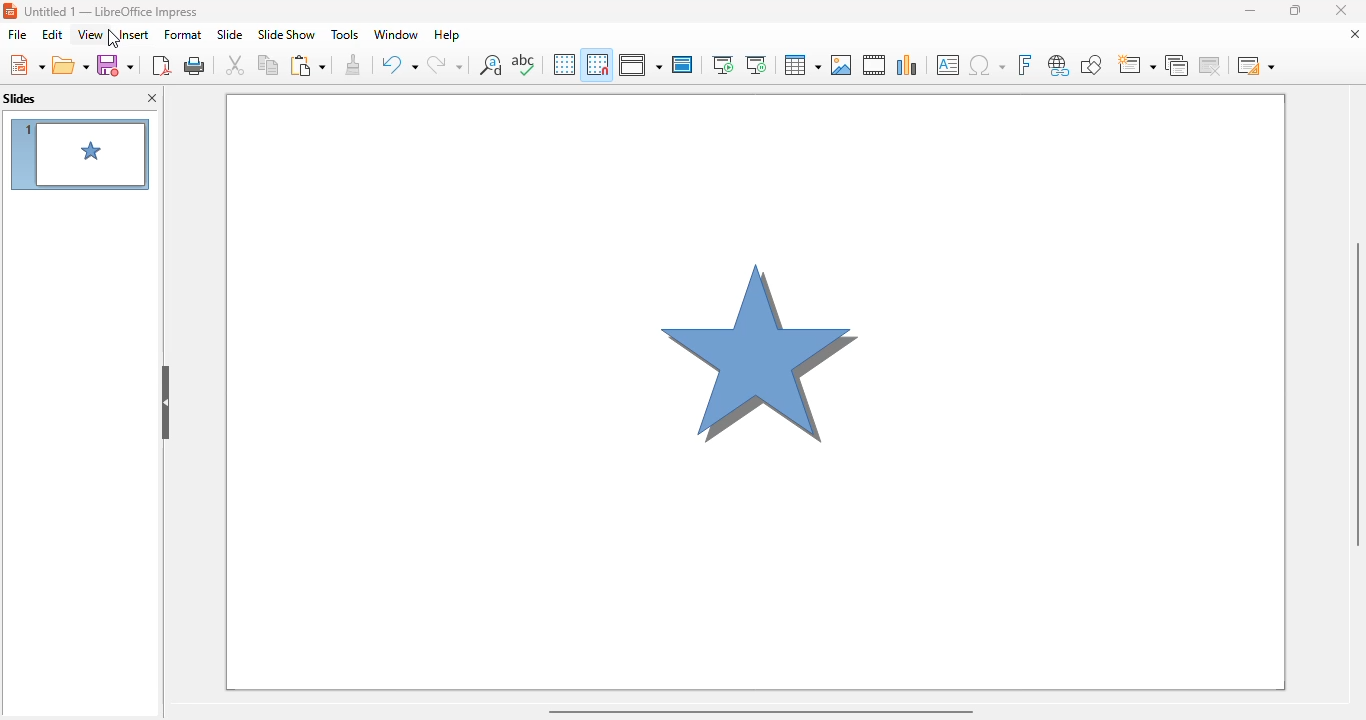 The width and height of the screenshot is (1366, 720). Describe the element at coordinates (801, 64) in the screenshot. I see `table` at that location.